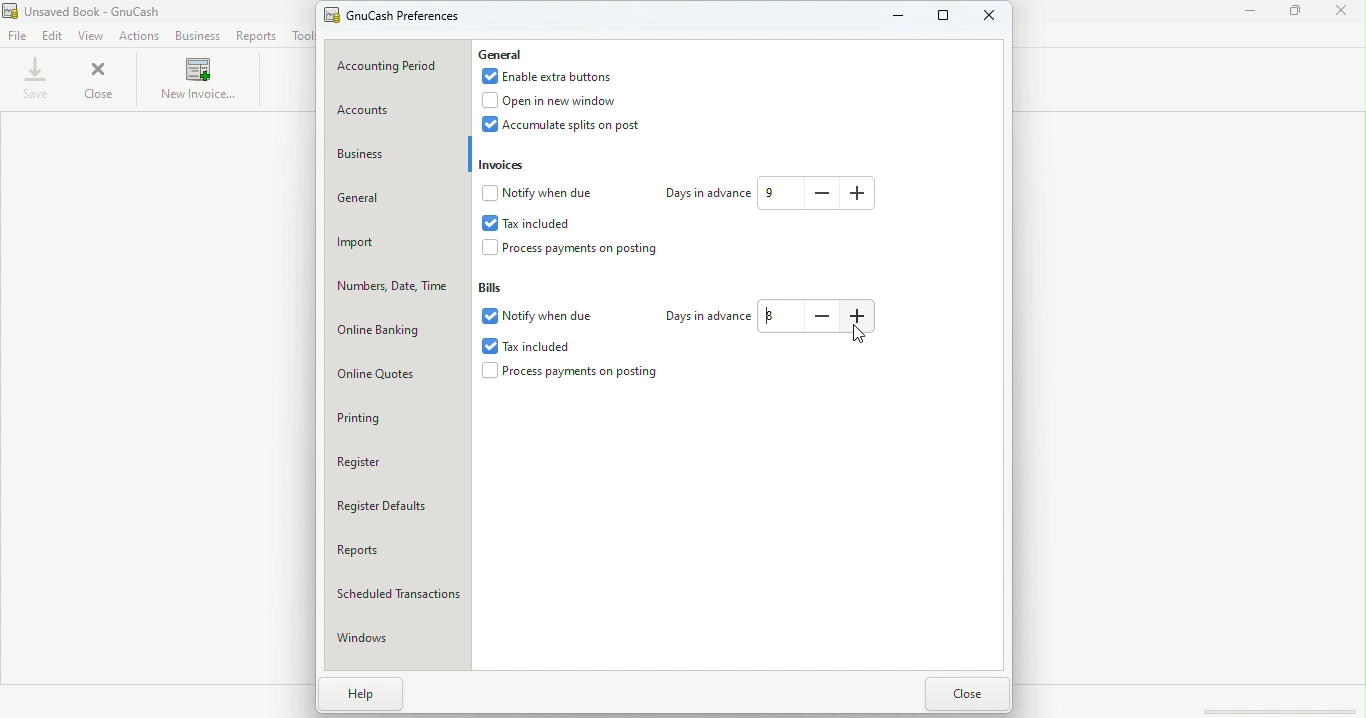 This screenshot has width=1366, height=718. What do you see at coordinates (92, 36) in the screenshot?
I see `View` at bounding box center [92, 36].